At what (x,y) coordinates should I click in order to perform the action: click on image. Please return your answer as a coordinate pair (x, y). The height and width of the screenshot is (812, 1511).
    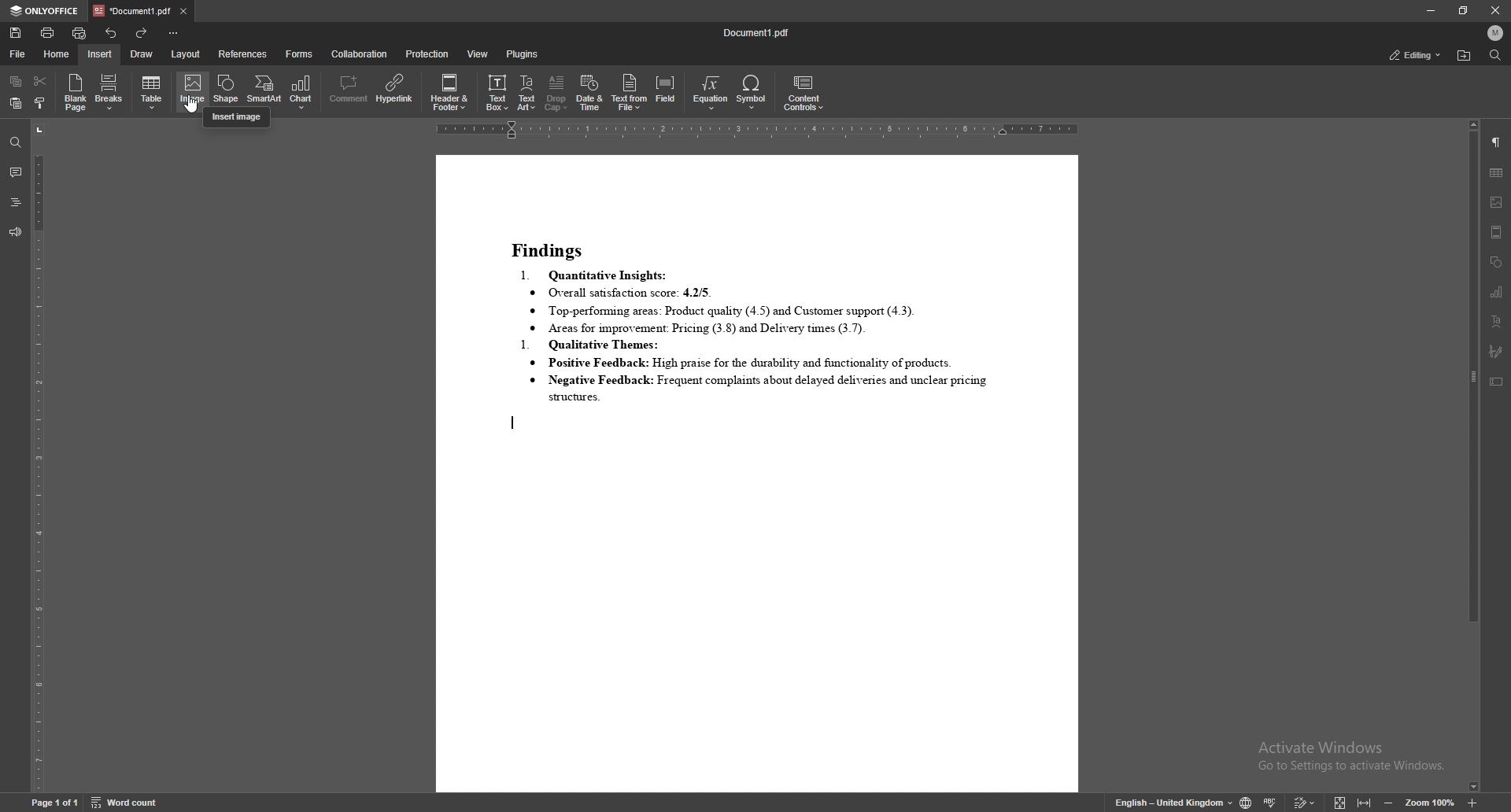
    Looking at the image, I should click on (1498, 202).